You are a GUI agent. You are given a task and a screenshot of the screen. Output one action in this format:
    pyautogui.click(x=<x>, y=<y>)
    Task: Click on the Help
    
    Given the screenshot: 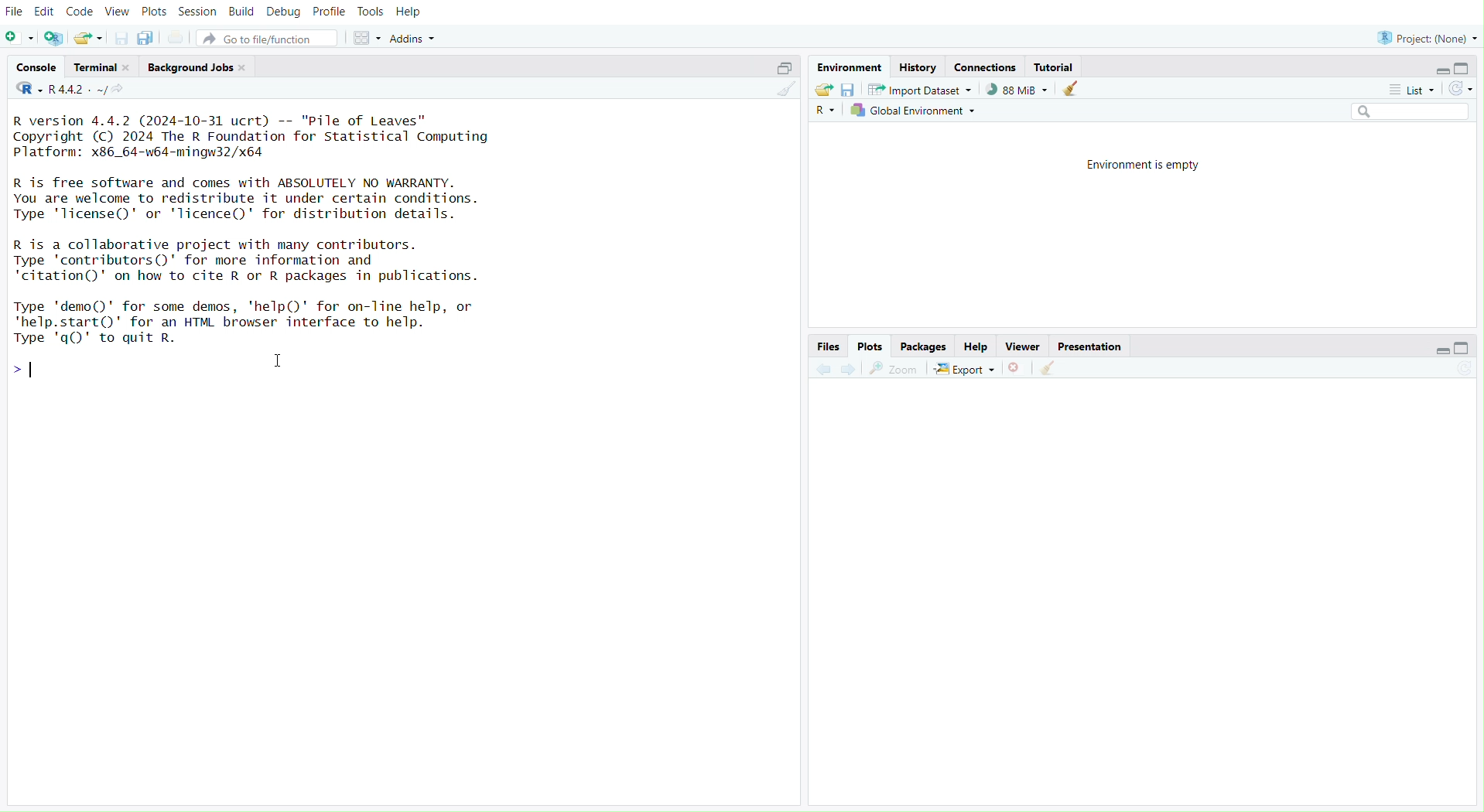 What is the action you would take?
    pyautogui.click(x=978, y=347)
    